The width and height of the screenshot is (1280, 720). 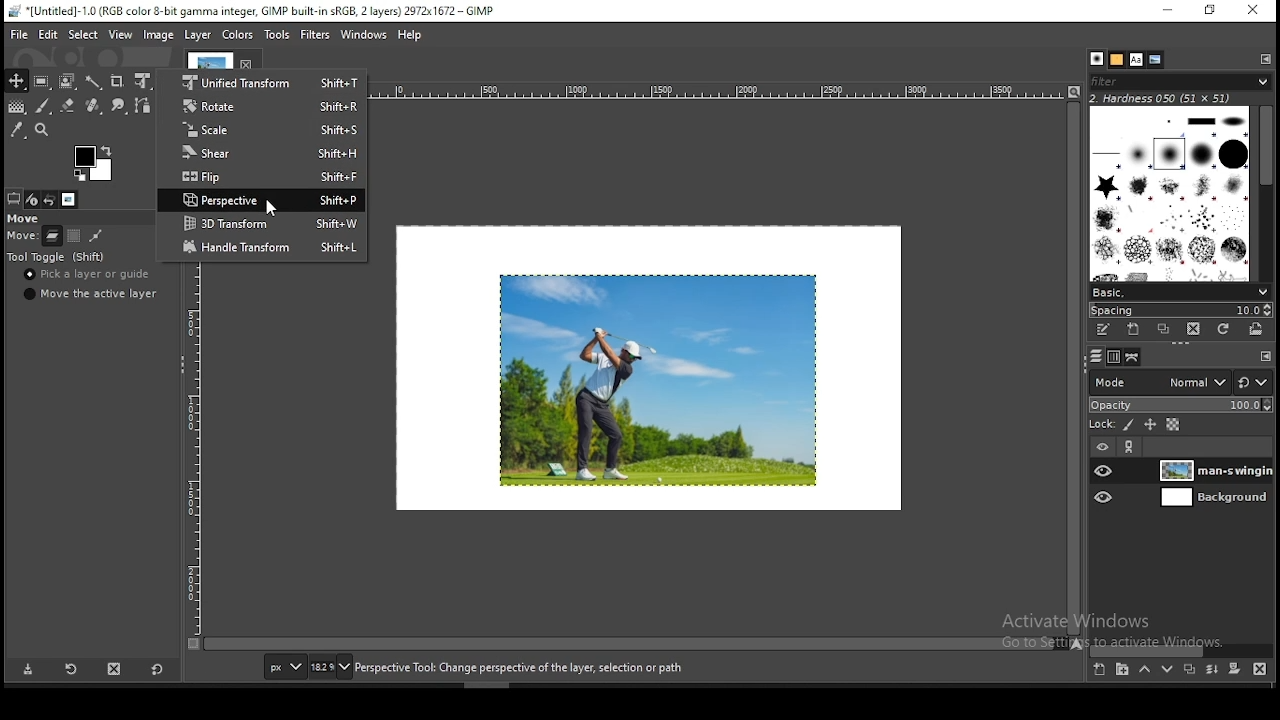 I want to click on crop tool, so click(x=119, y=81).